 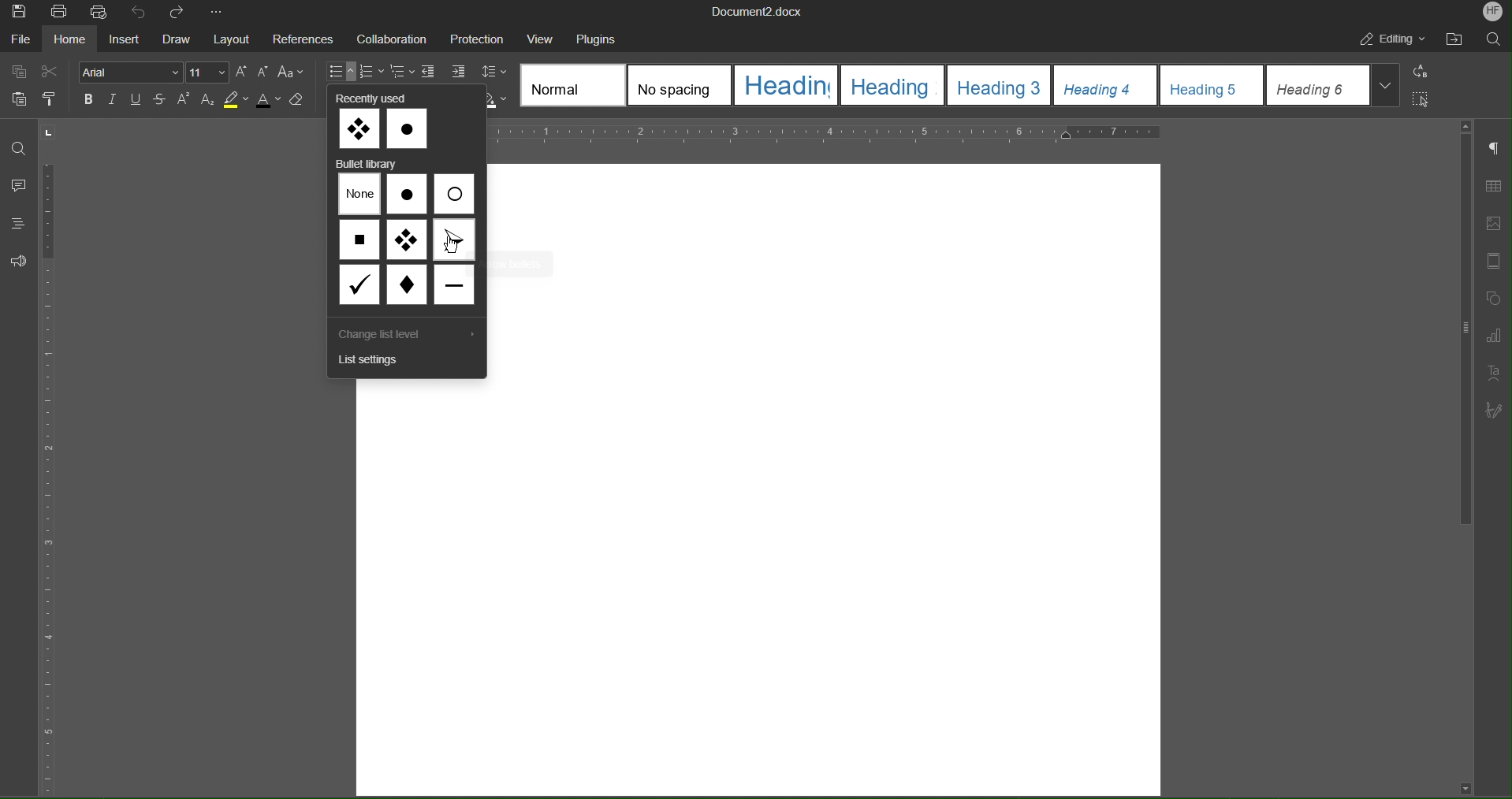 What do you see at coordinates (602, 39) in the screenshot?
I see `Plugins` at bounding box center [602, 39].